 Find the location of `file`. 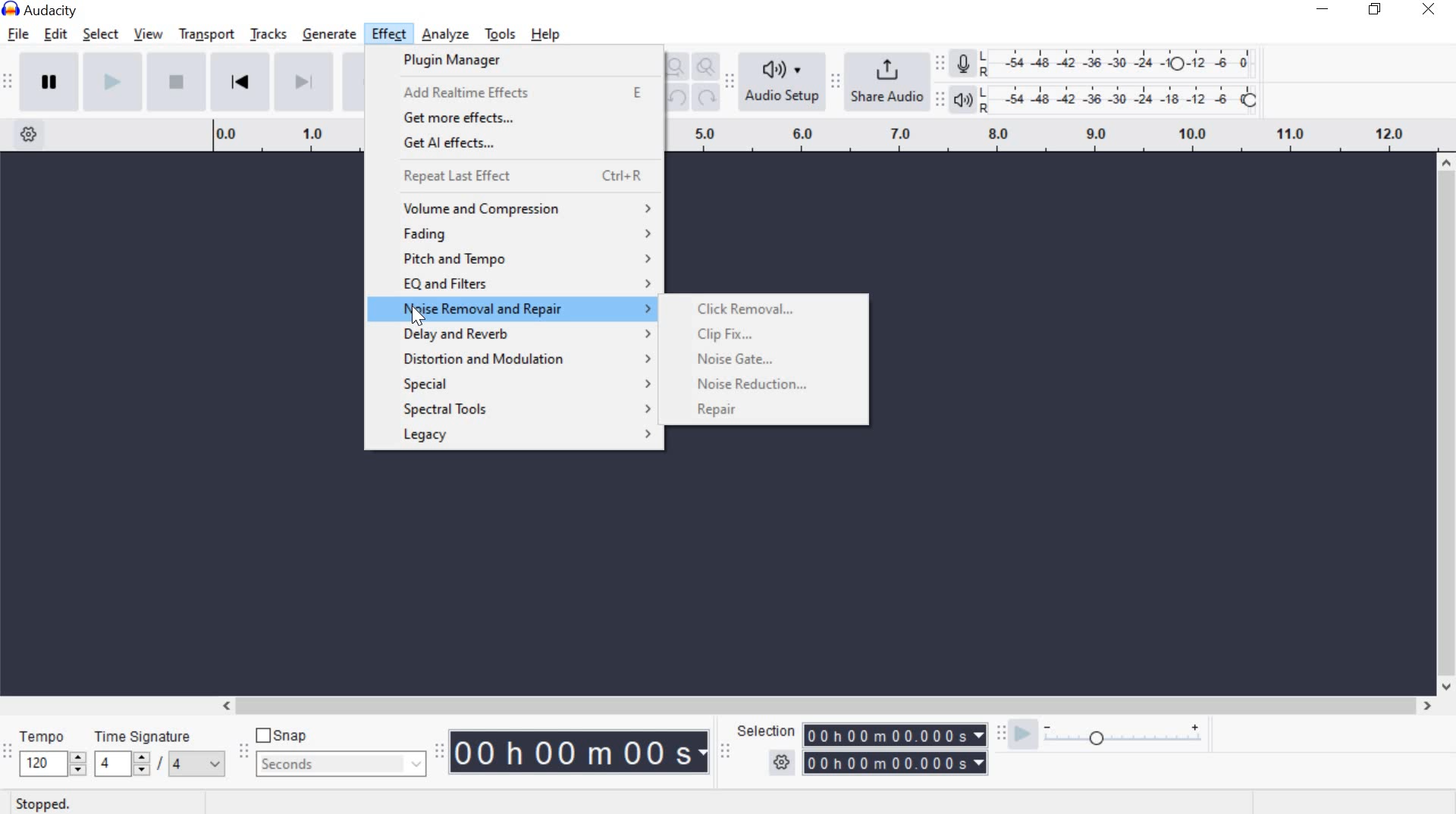

file is located at coordinates (21, 34).